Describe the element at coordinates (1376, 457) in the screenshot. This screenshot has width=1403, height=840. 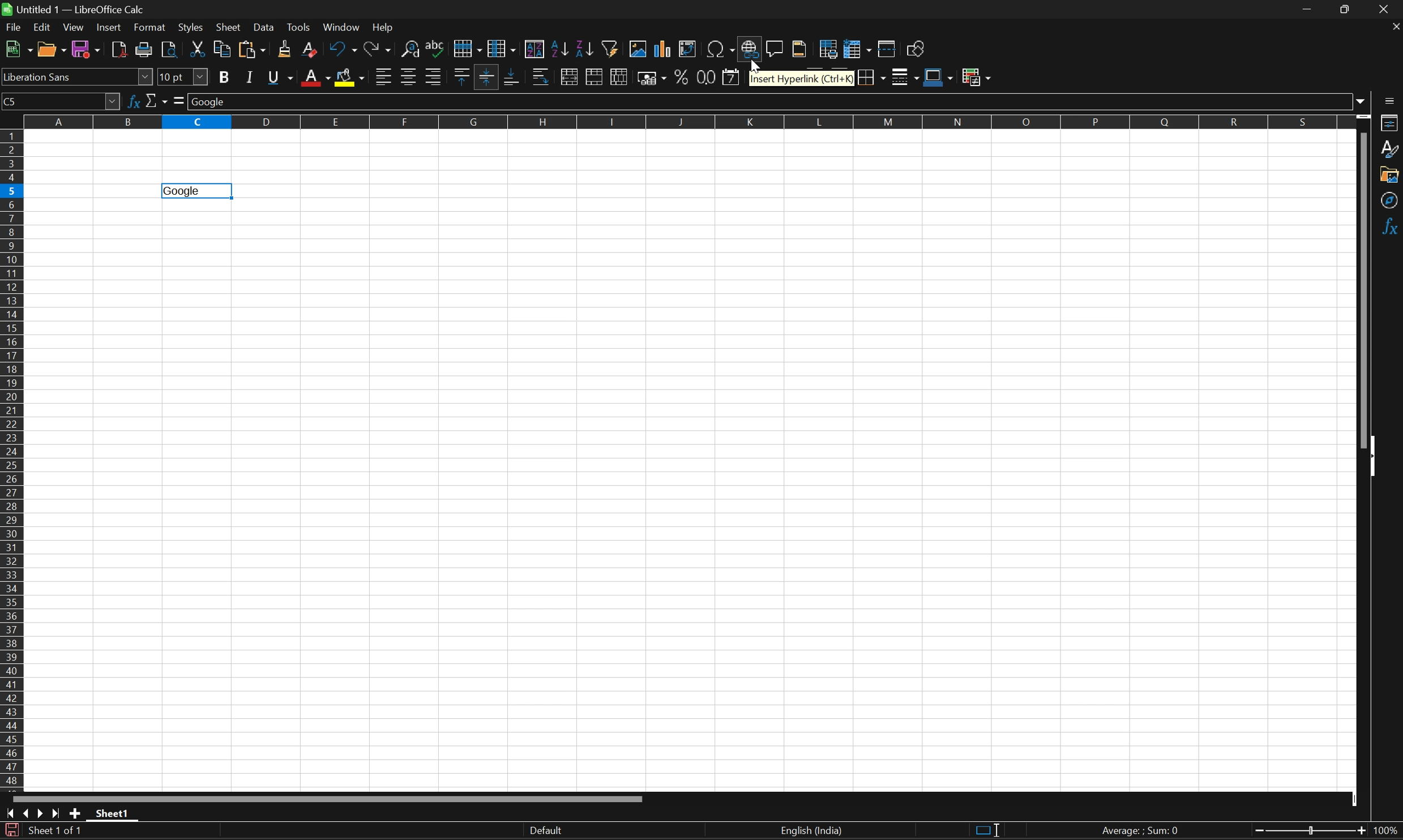
I see `Hide` at that location.